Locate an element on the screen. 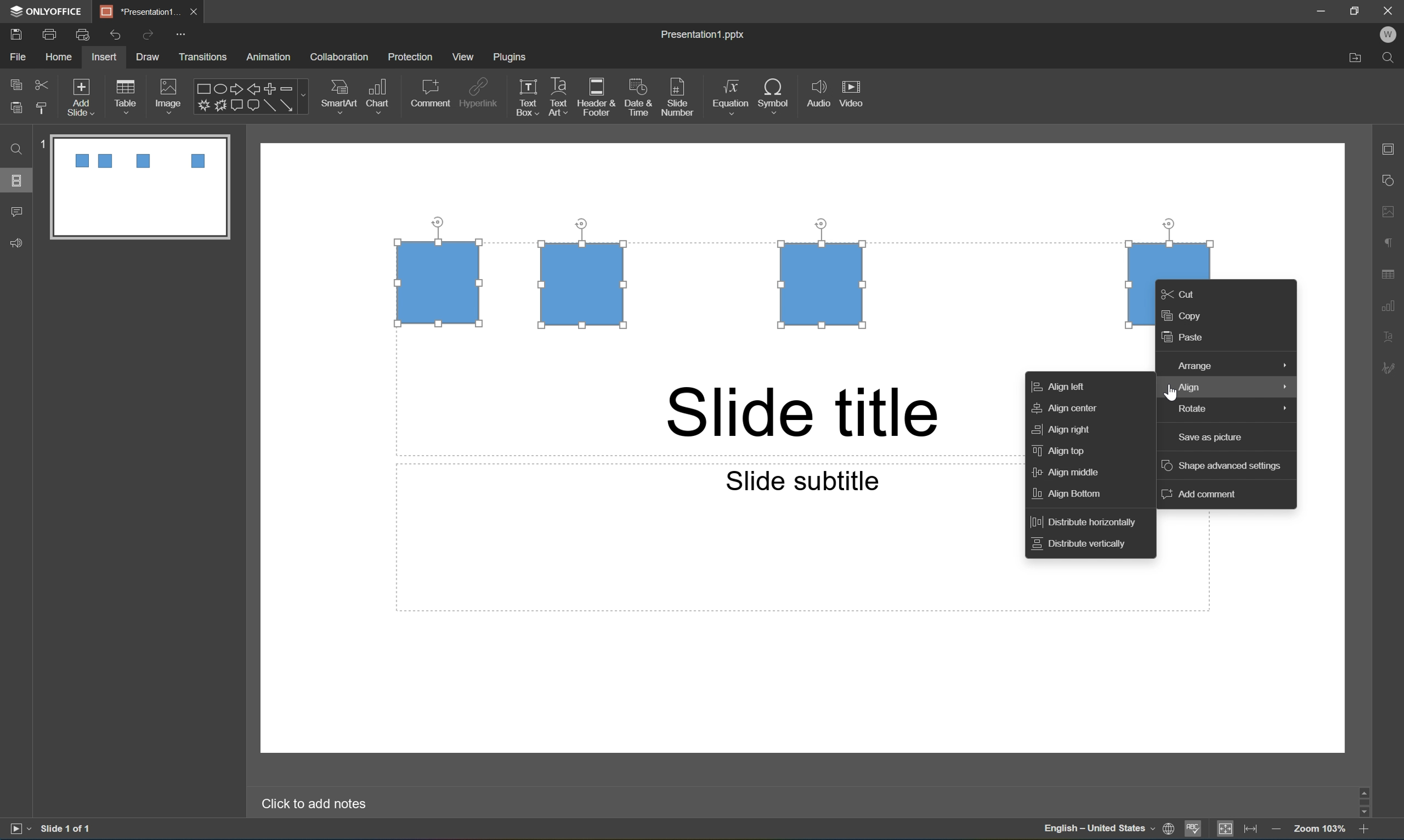 The image size is (1404, 840). Presentation1.pptx is located at coordinates (704, 36).